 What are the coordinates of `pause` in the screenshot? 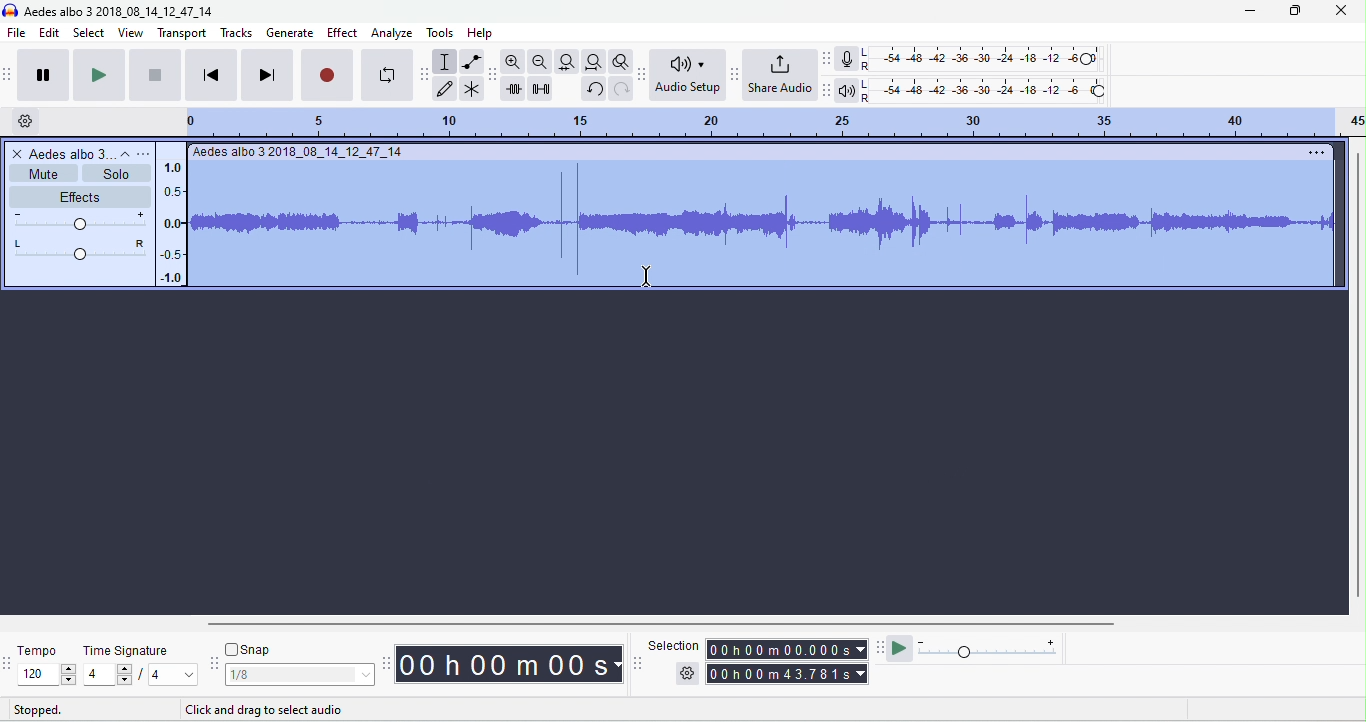 It's located at (41, 73).